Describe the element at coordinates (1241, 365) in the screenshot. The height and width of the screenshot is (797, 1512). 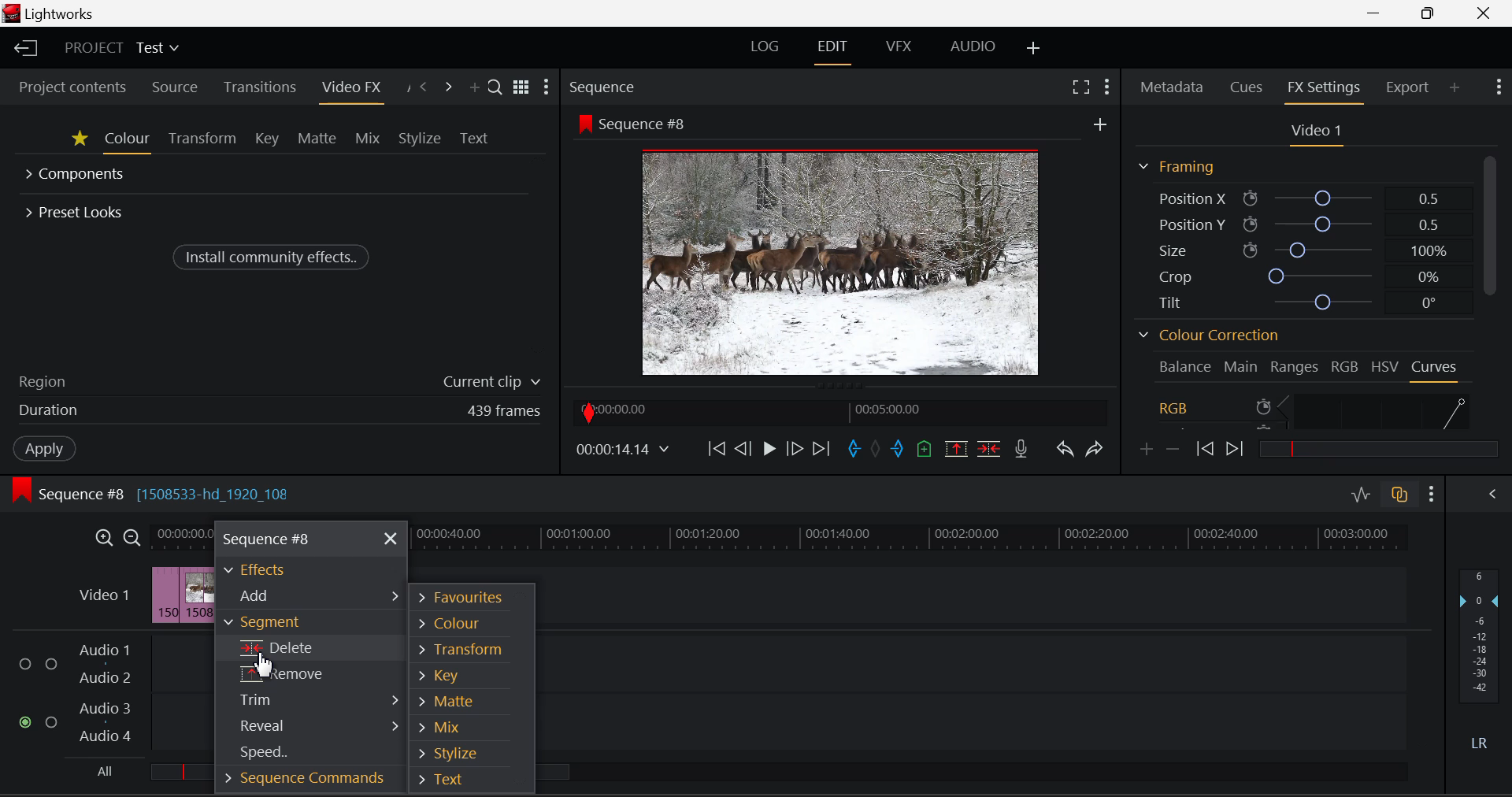
I see `Main` at that location.